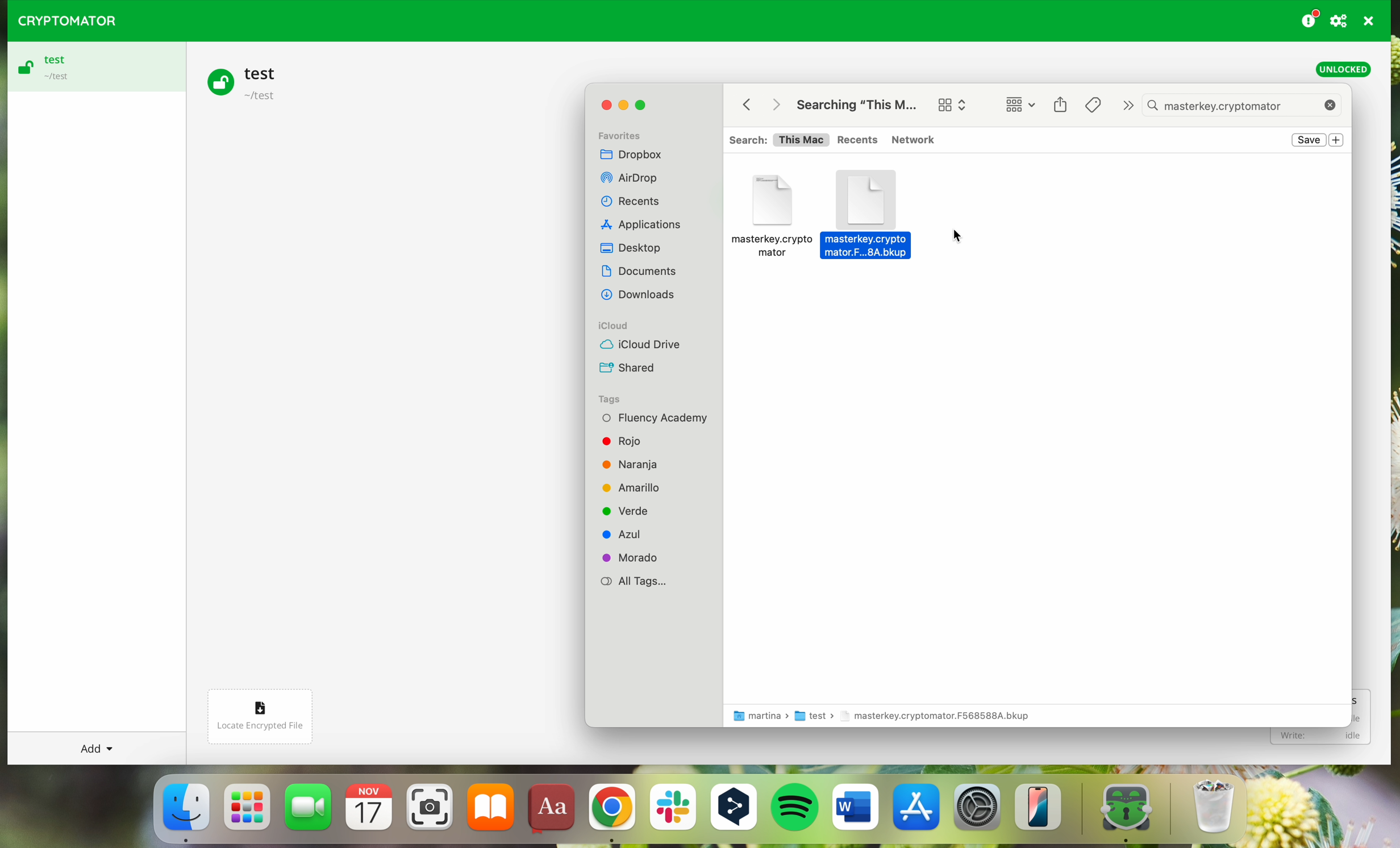 The image size is (1400, 848). Describe the element at coordinates (636, 582) in the screenshot. I see `All Tags` at that location.